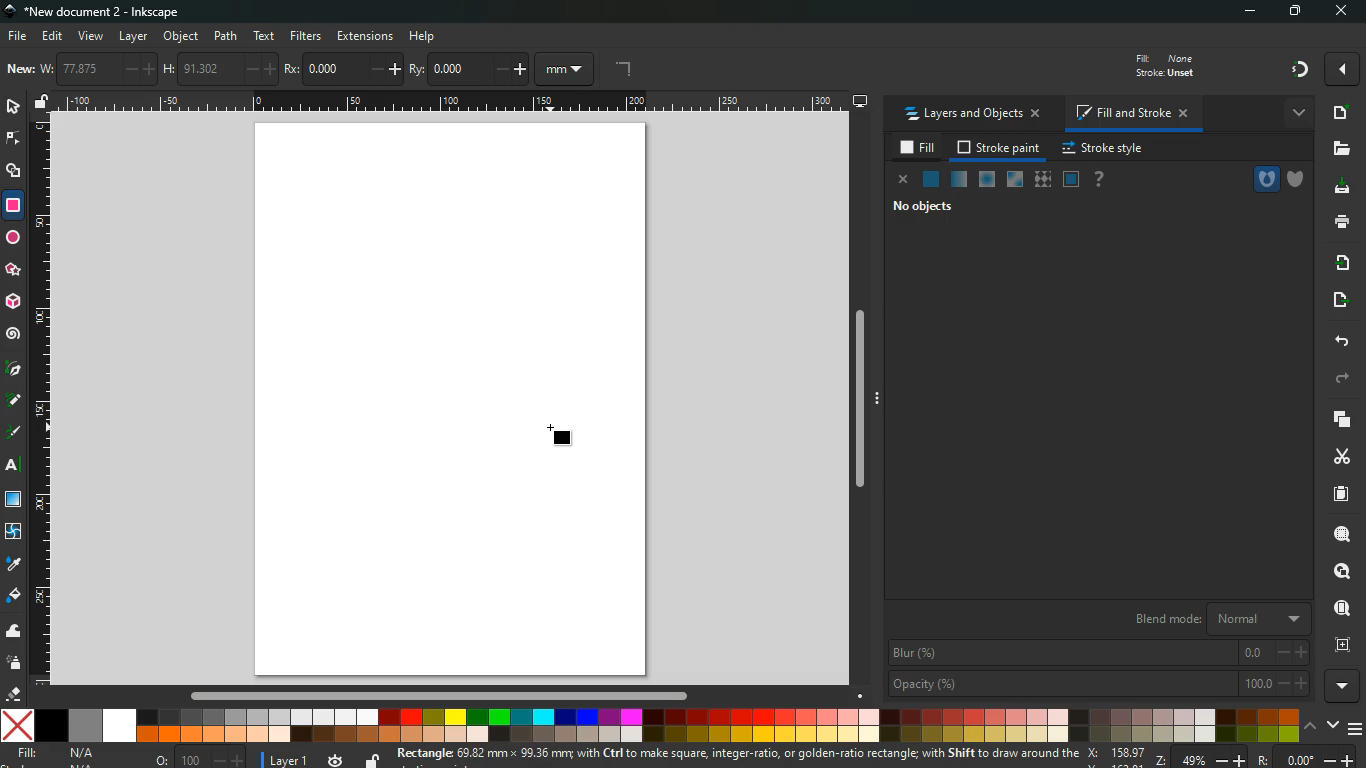 Image resolution: width=1366 pixels, height=768 pixels. Describe the element at coordinates (636, 70) in the screenshot. I see `angle` at that location.